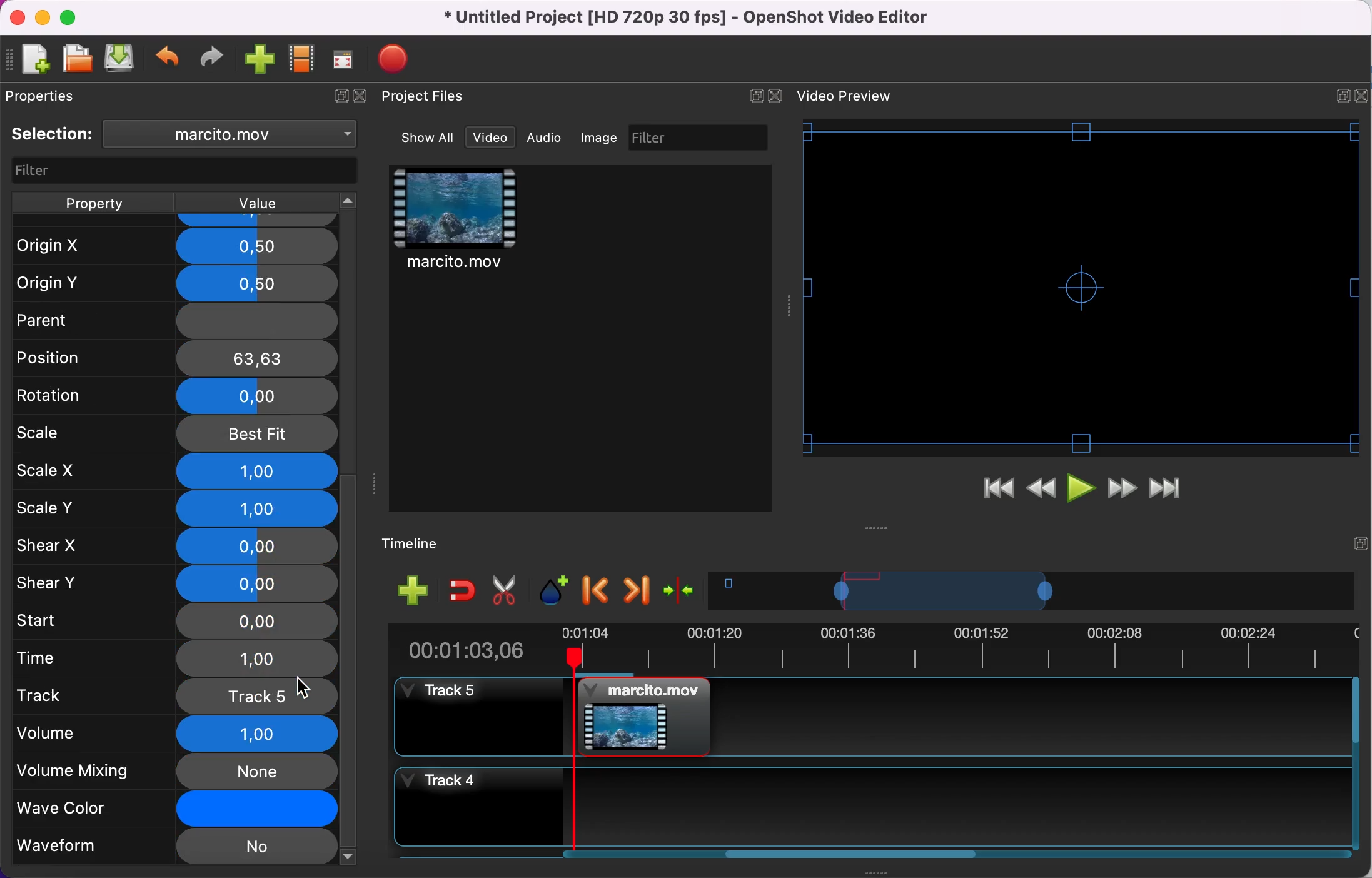 This screenshot has width=1372, height=878. What do you see at coordinates (175, 772) in the screenshot?
I see `volume mixing none` at bounding box center [175, 772].